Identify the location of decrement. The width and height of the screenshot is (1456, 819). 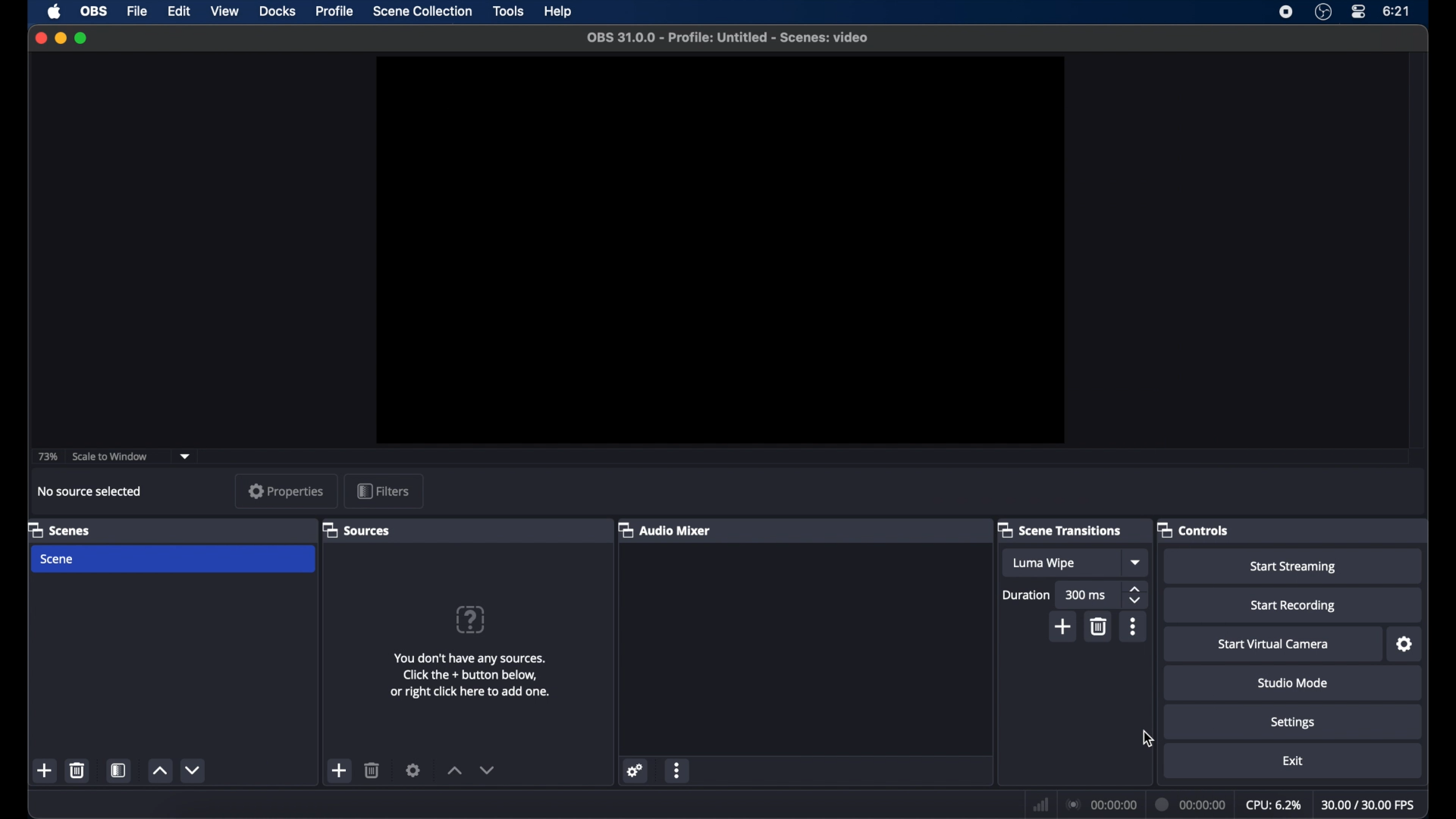
(195, 770).